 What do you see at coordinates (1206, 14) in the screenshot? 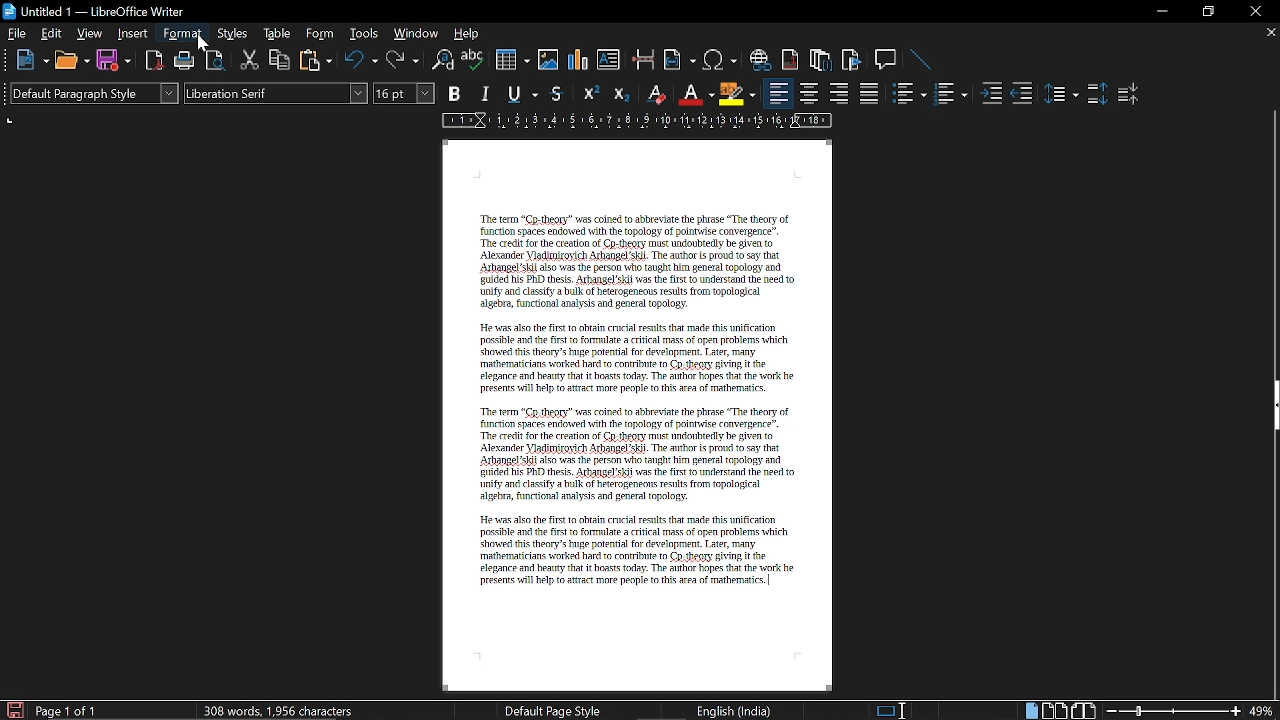
I see `Restart down` at bounding box center [1206, 14].